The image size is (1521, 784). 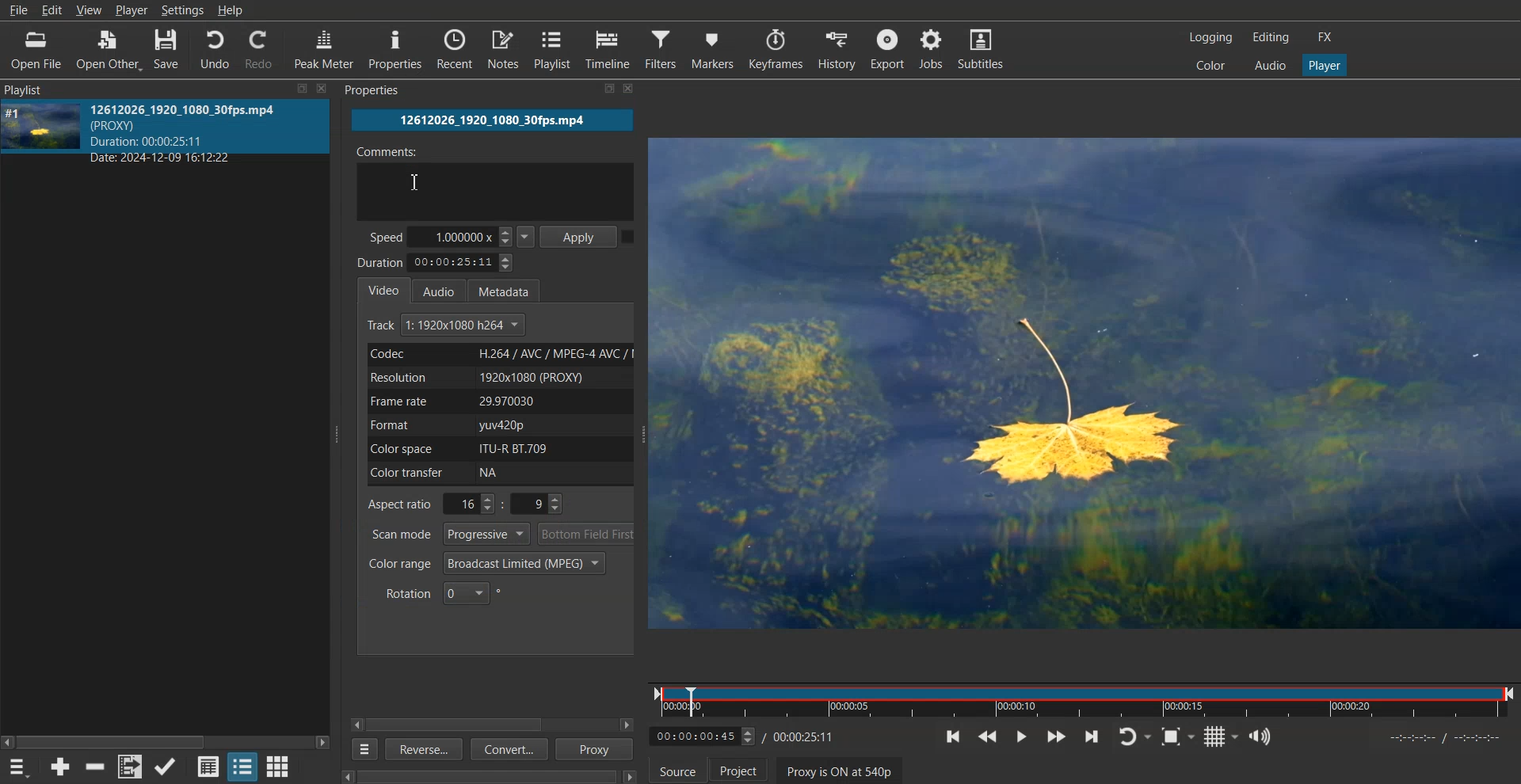 What do you see at coordinates (21, 767) in the screenshot?
I see `Playlist menu` at bounding box center [21, 767].